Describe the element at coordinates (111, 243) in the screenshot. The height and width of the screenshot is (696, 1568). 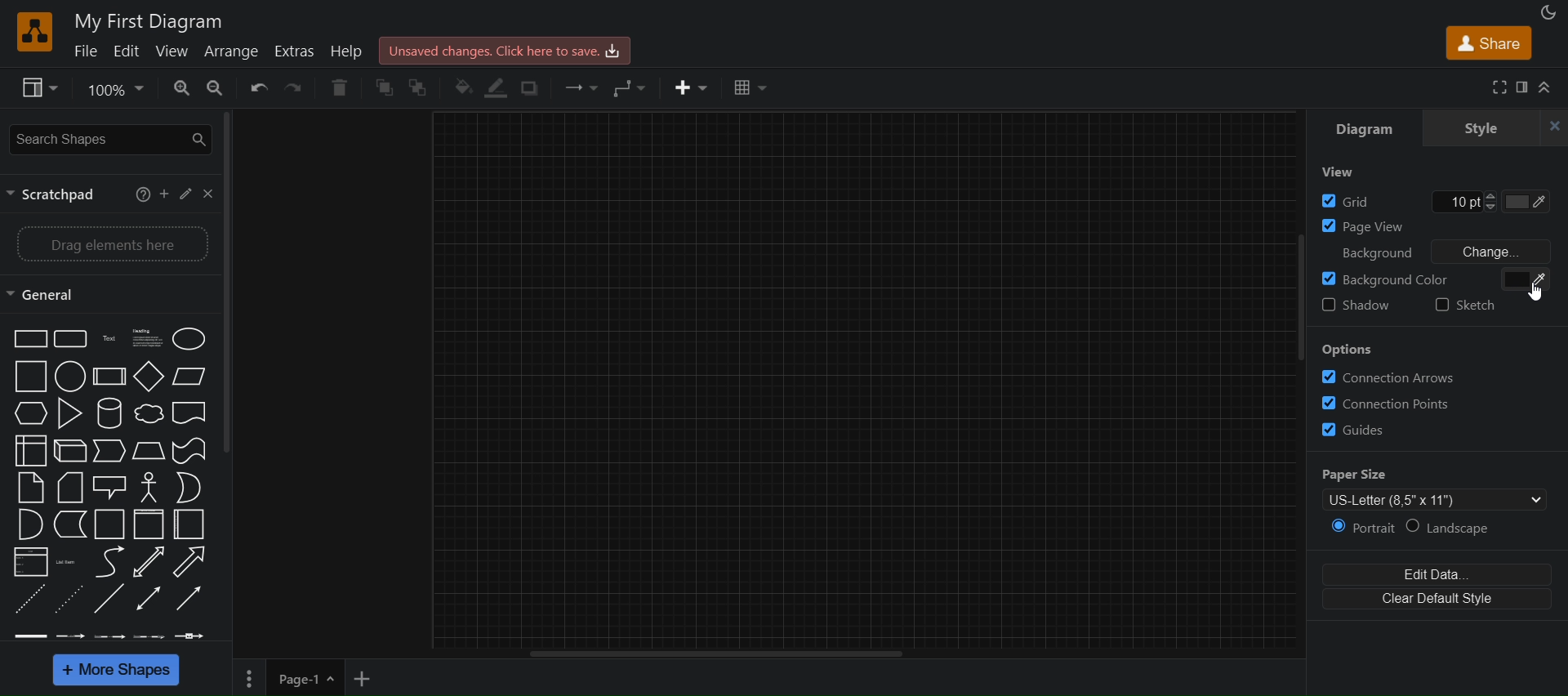
I see `drag elements here` at that location.